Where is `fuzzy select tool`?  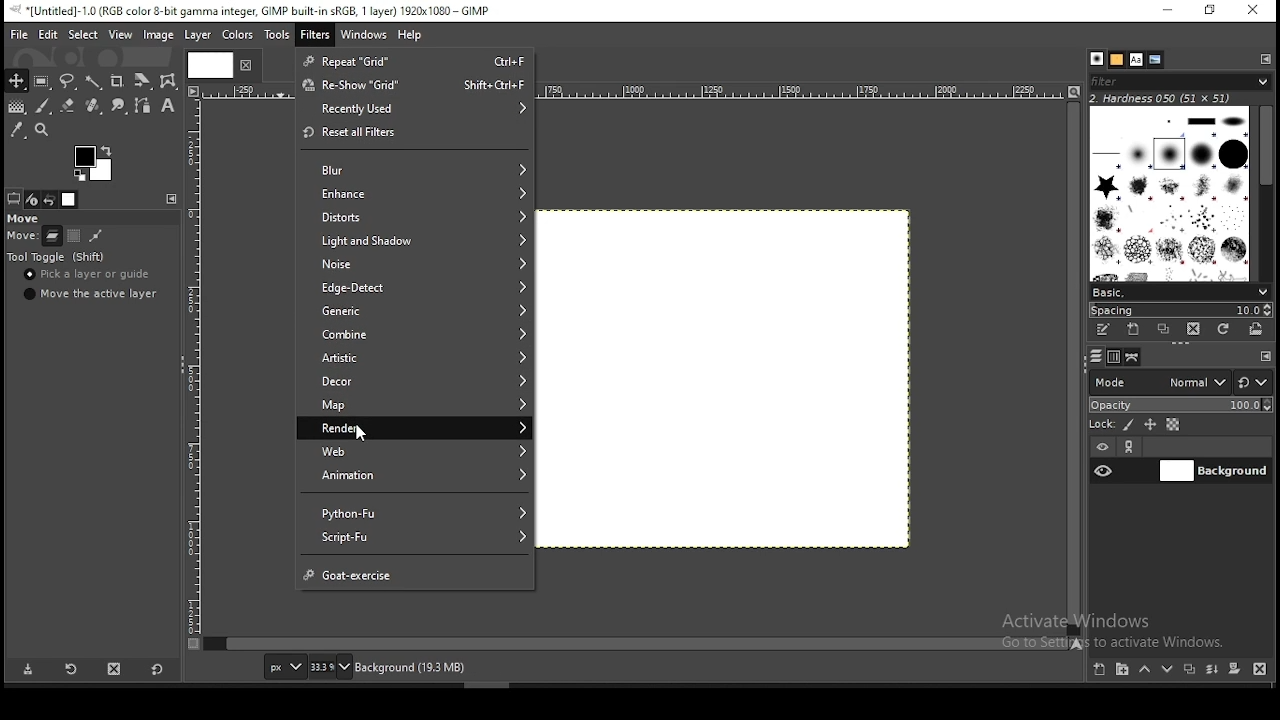
fuzzy select tool is located at coordinates (94, 83).